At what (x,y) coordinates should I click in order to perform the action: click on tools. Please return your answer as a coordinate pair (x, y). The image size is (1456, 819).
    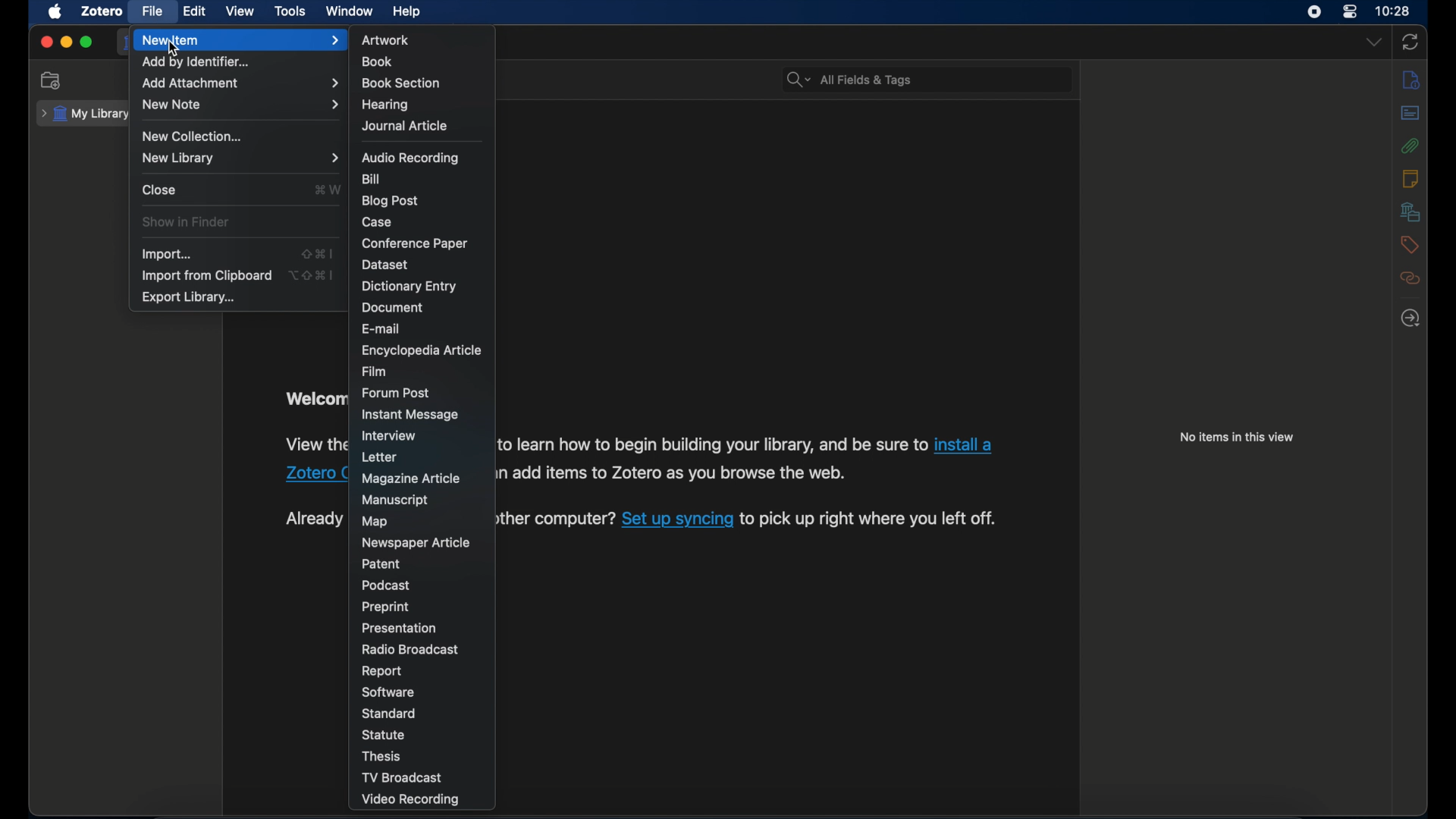
    Looking at the image, I should click on (290, 11).